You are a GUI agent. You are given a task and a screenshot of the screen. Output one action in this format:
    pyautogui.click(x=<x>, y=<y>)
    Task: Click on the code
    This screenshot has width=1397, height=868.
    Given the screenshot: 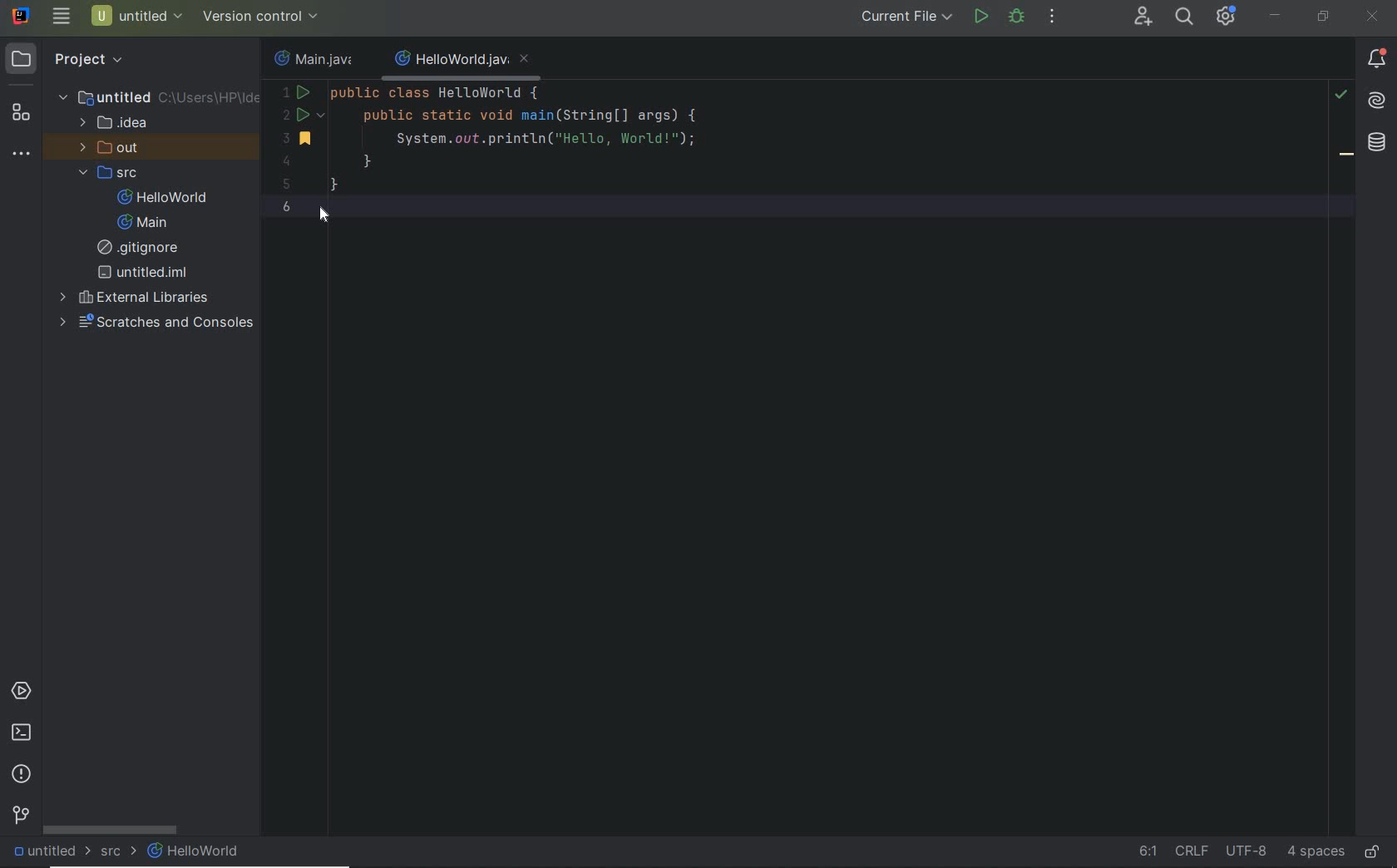 What is the action you would take?
    pyautogui.click(x=550, y=153)
    